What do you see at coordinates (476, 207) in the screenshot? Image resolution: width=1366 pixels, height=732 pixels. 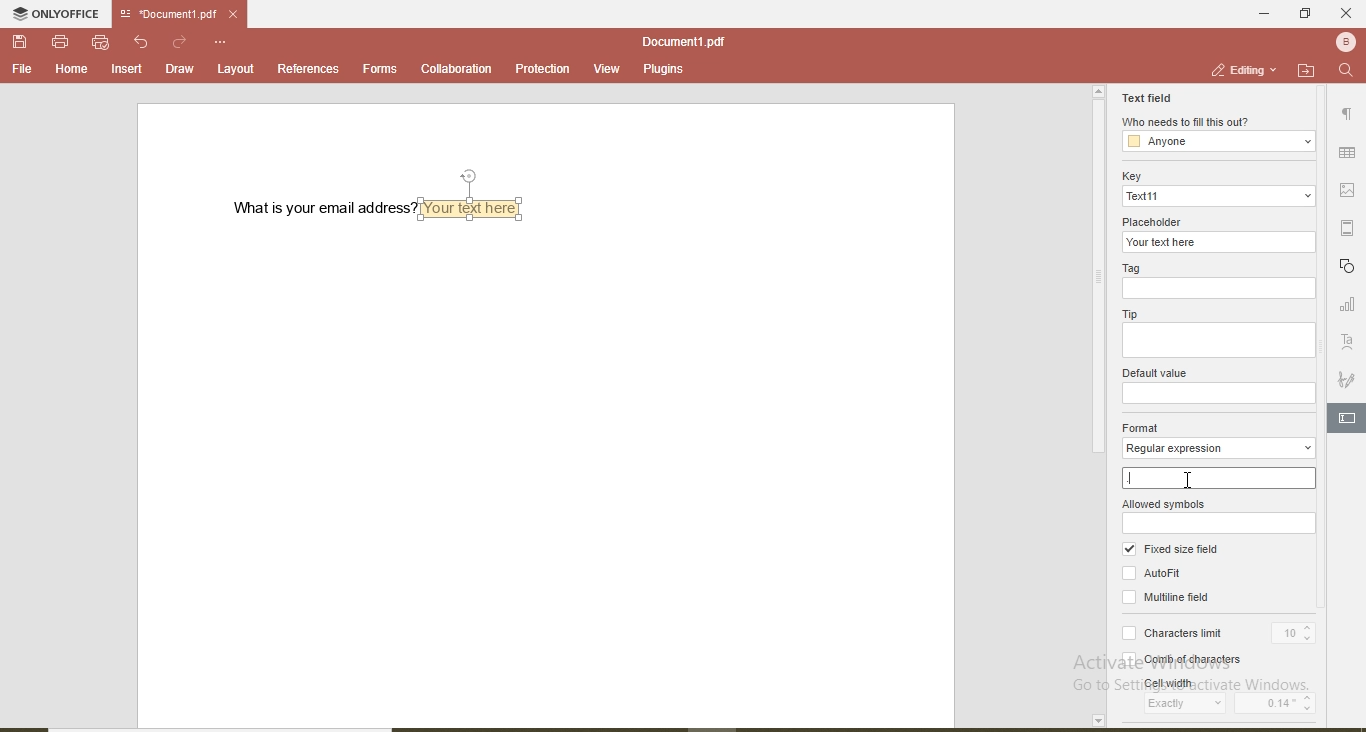 I see `textbox` at bounding box center [476, 207].